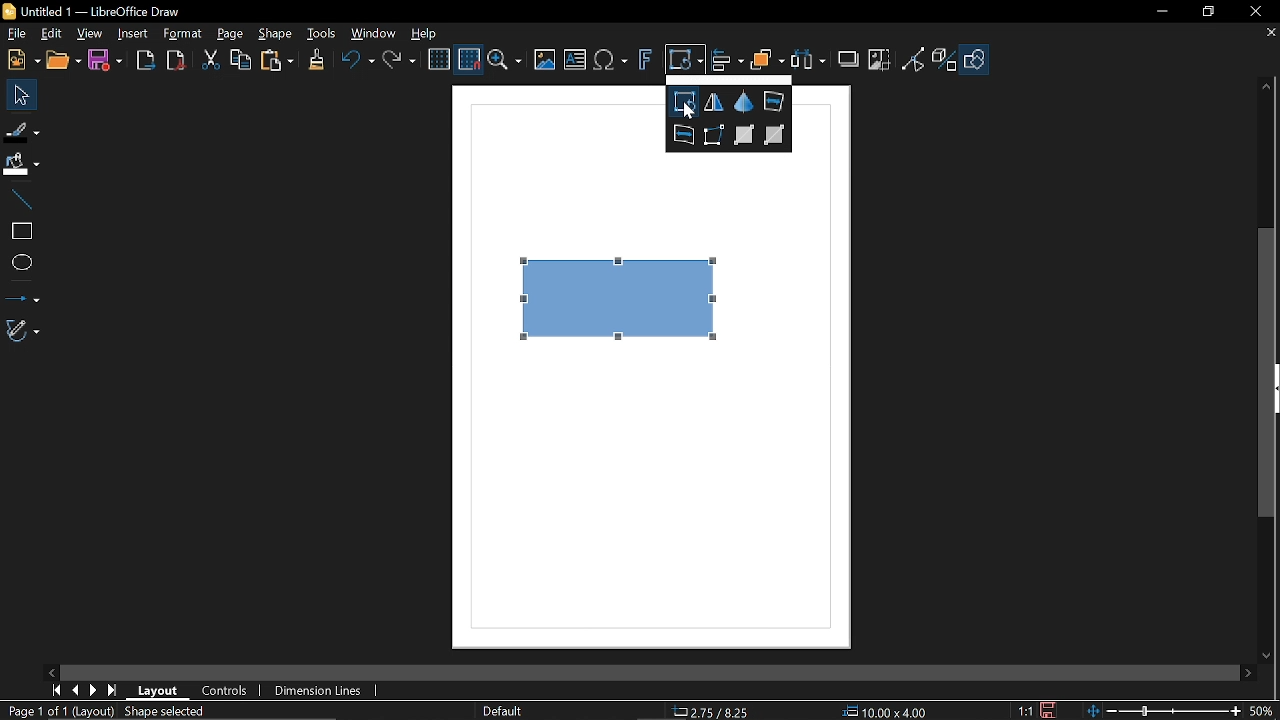 This screenshot has height=720, width=1280. What do you see at coordinates (1166, 712) in the screenshot?
I see `Change zoom` at bounding box center [1166, 712].